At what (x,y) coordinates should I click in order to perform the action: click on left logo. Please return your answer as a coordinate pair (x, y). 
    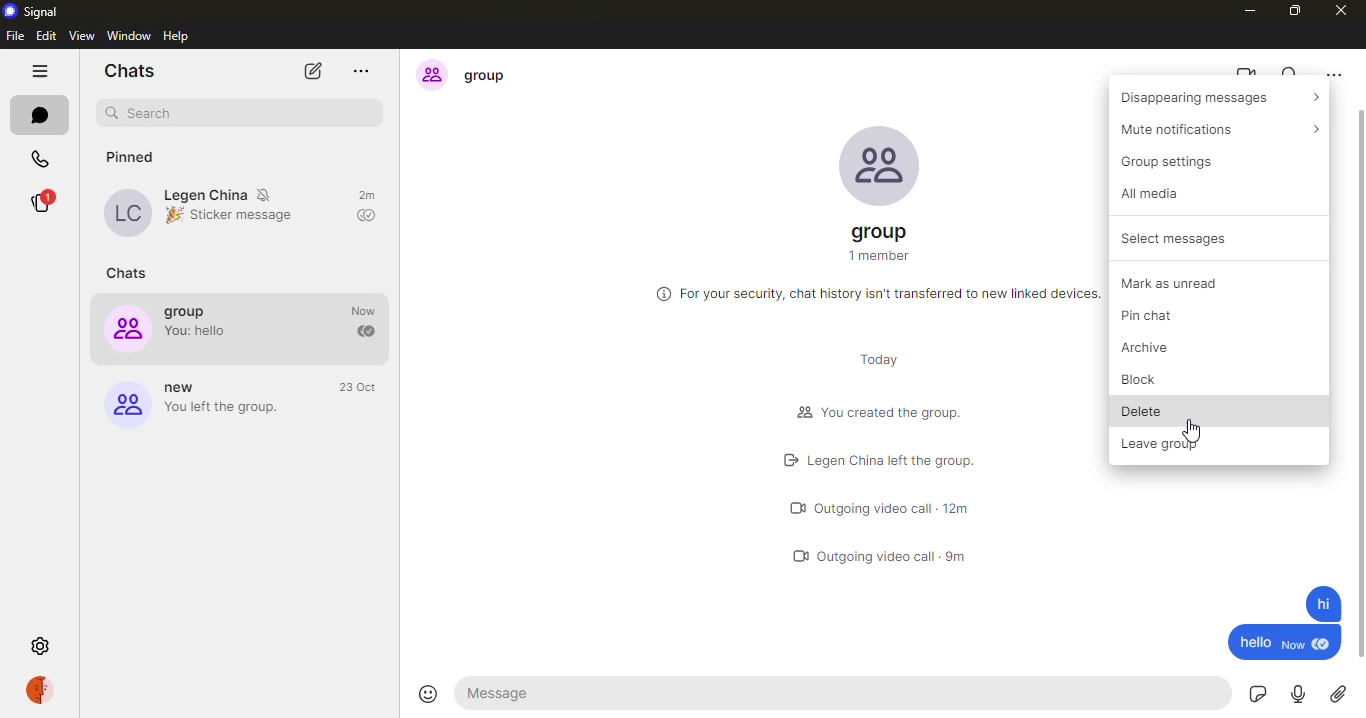
    Looking at the image, I should click on (784, 462).